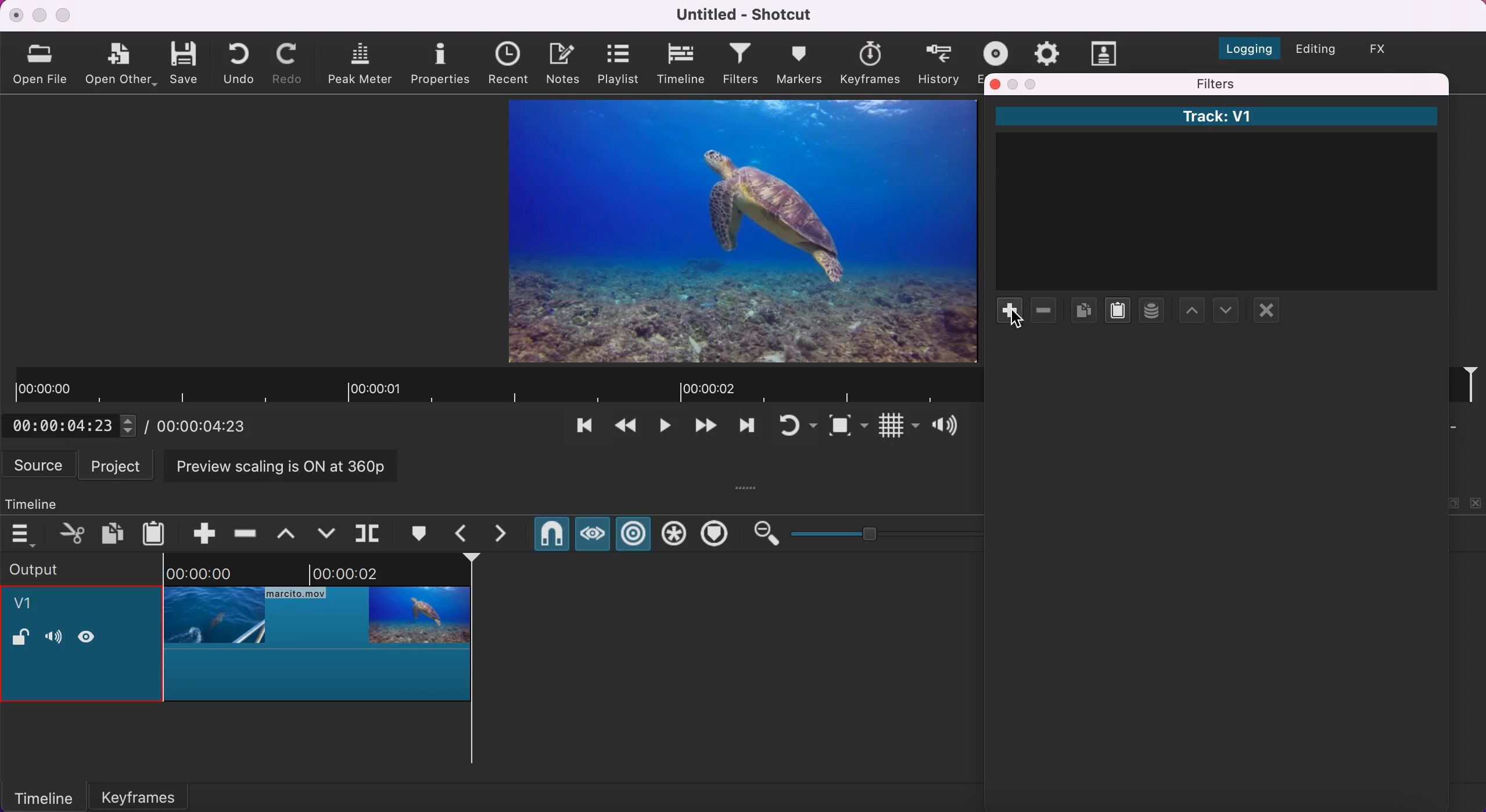  Describe the element at coordinates (1477, 504) in the screenshot. I see `close` at that location.